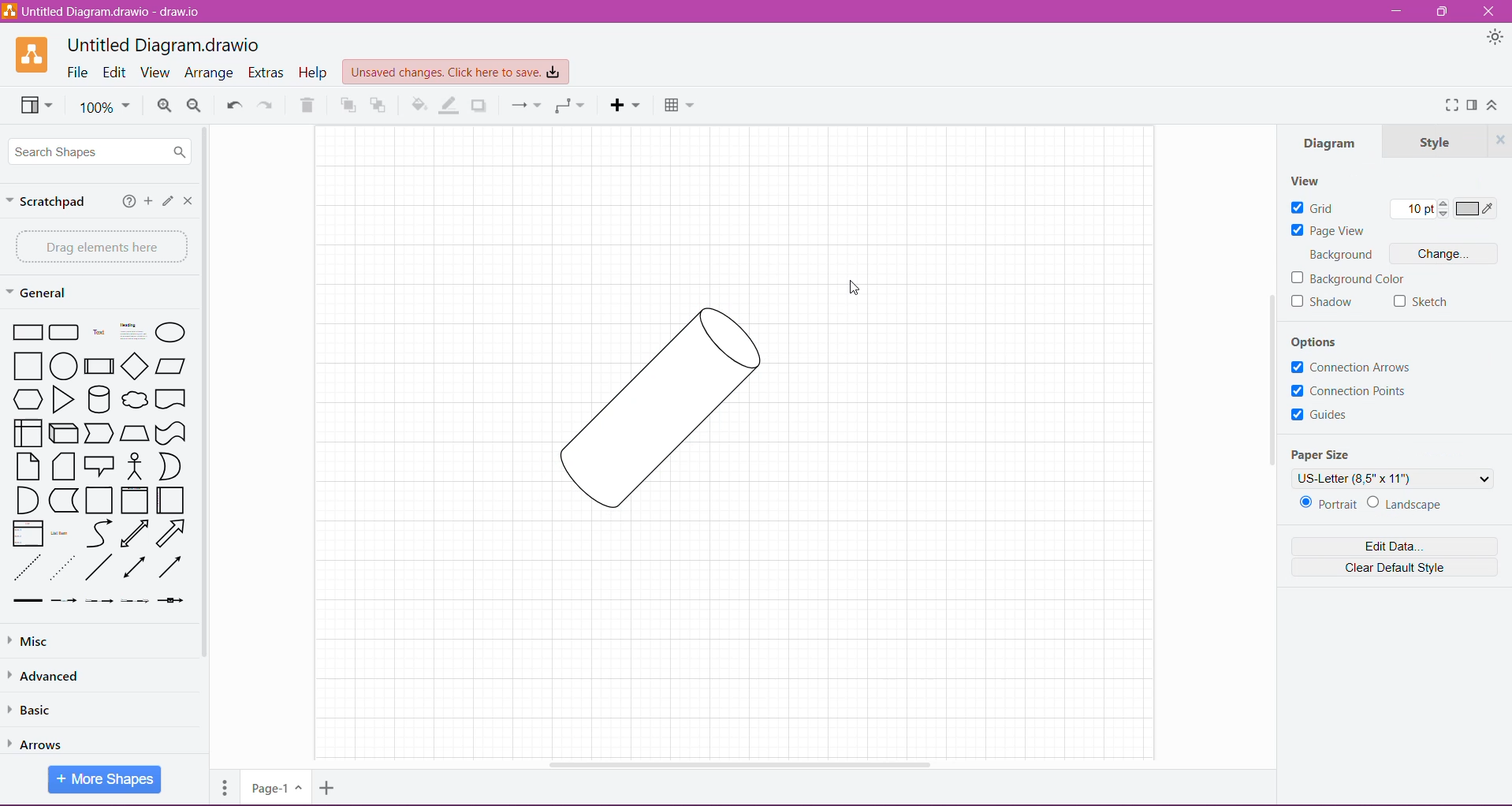 This screenshot has height=806, width=1512. Describe the element at coordinates (195, 106) in the screenshot. I see `Zoom Out` at that location.